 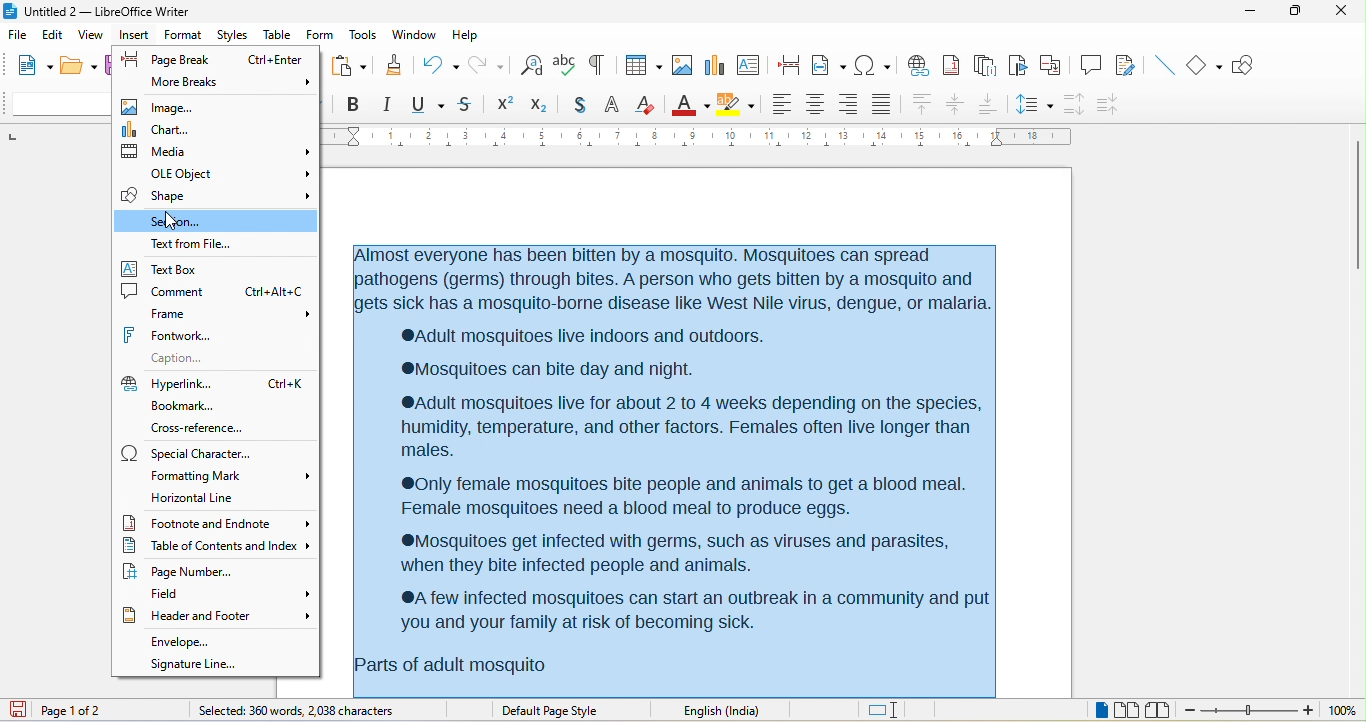 What do you see at coordinates (218, 81) in the screenshot?
I see `more breaks` at bounding box center [218, 81].